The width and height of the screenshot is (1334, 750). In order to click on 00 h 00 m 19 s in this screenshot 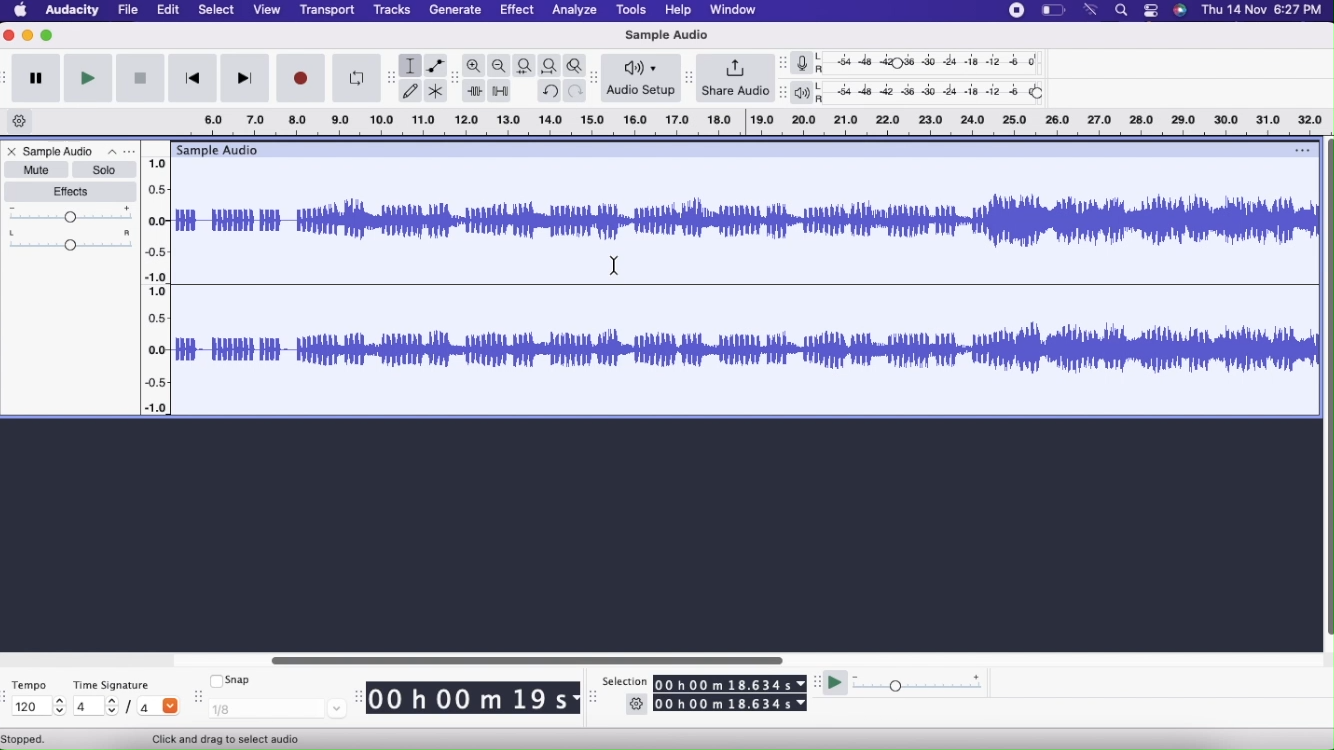, I will do `click(471, 699)`.